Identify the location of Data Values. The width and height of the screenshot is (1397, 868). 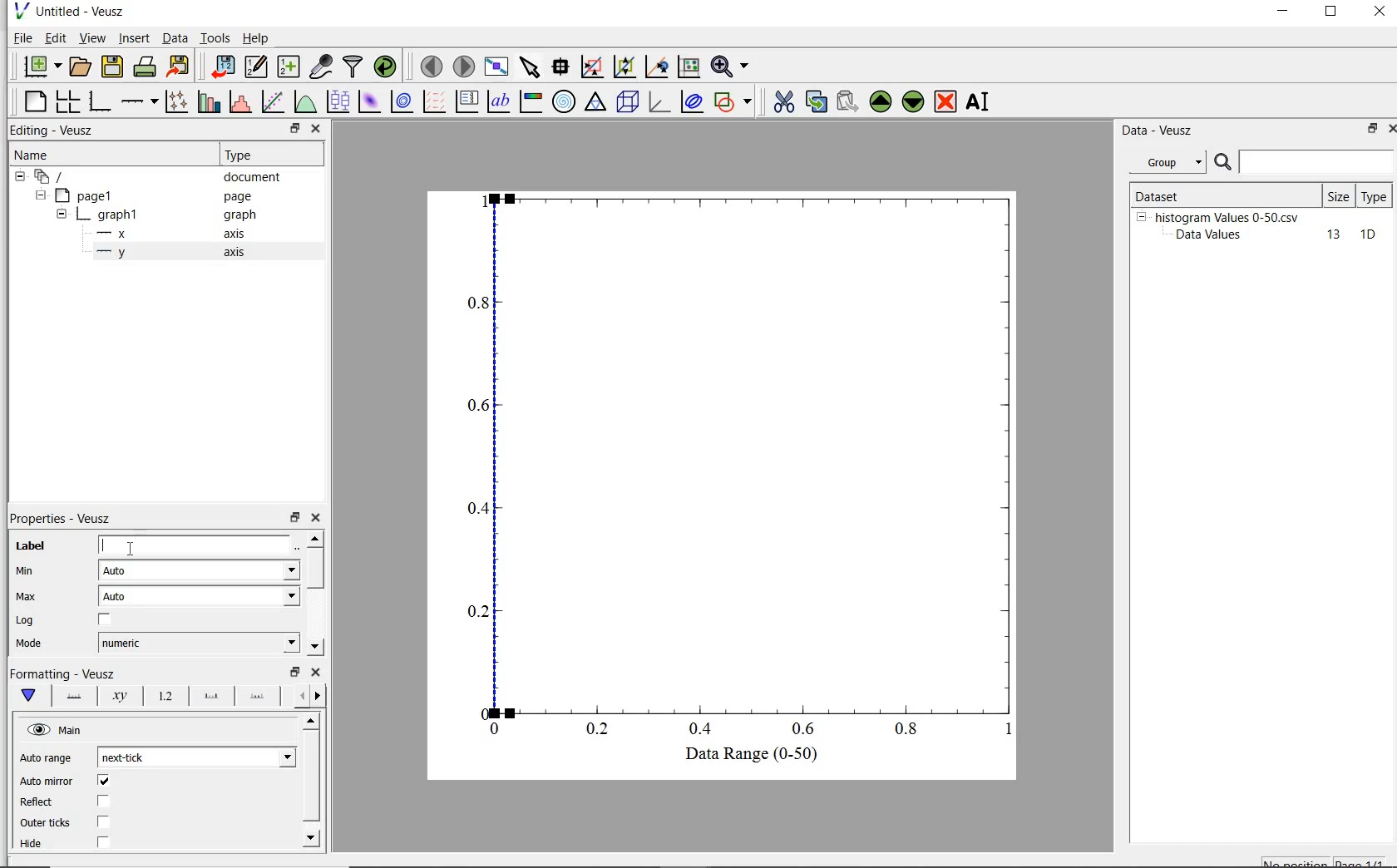
(1214, 235).